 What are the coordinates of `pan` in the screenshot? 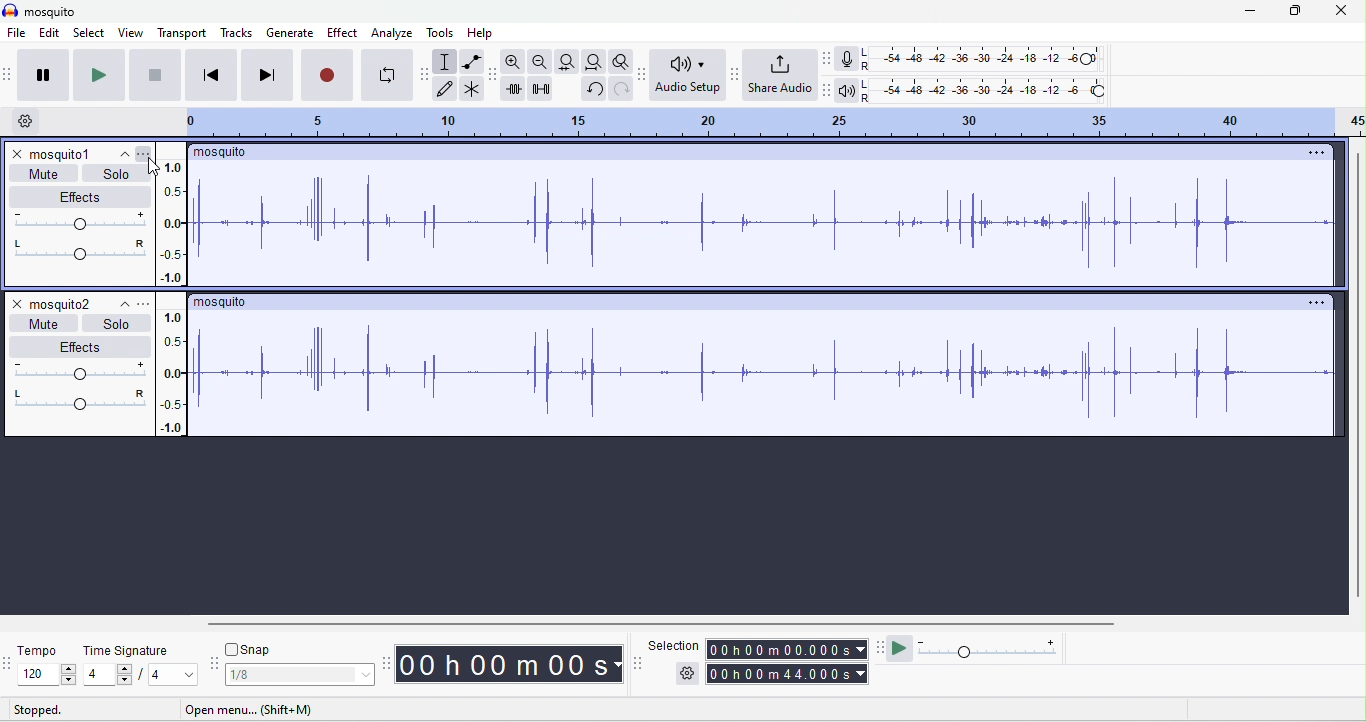 It's located at (77, 400).